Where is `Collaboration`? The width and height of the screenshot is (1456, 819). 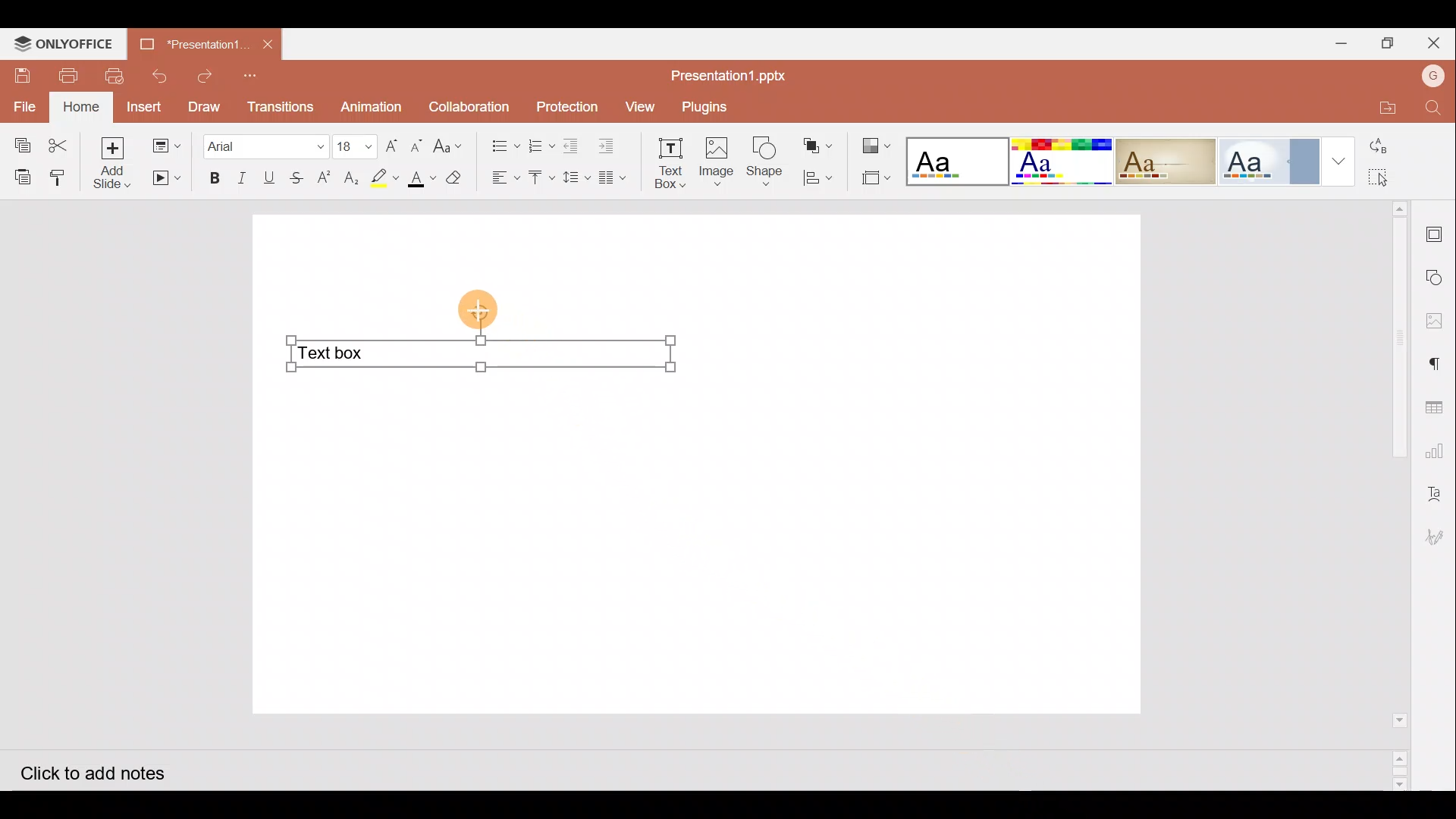 Collaboration is located at coordinates (470, 105).